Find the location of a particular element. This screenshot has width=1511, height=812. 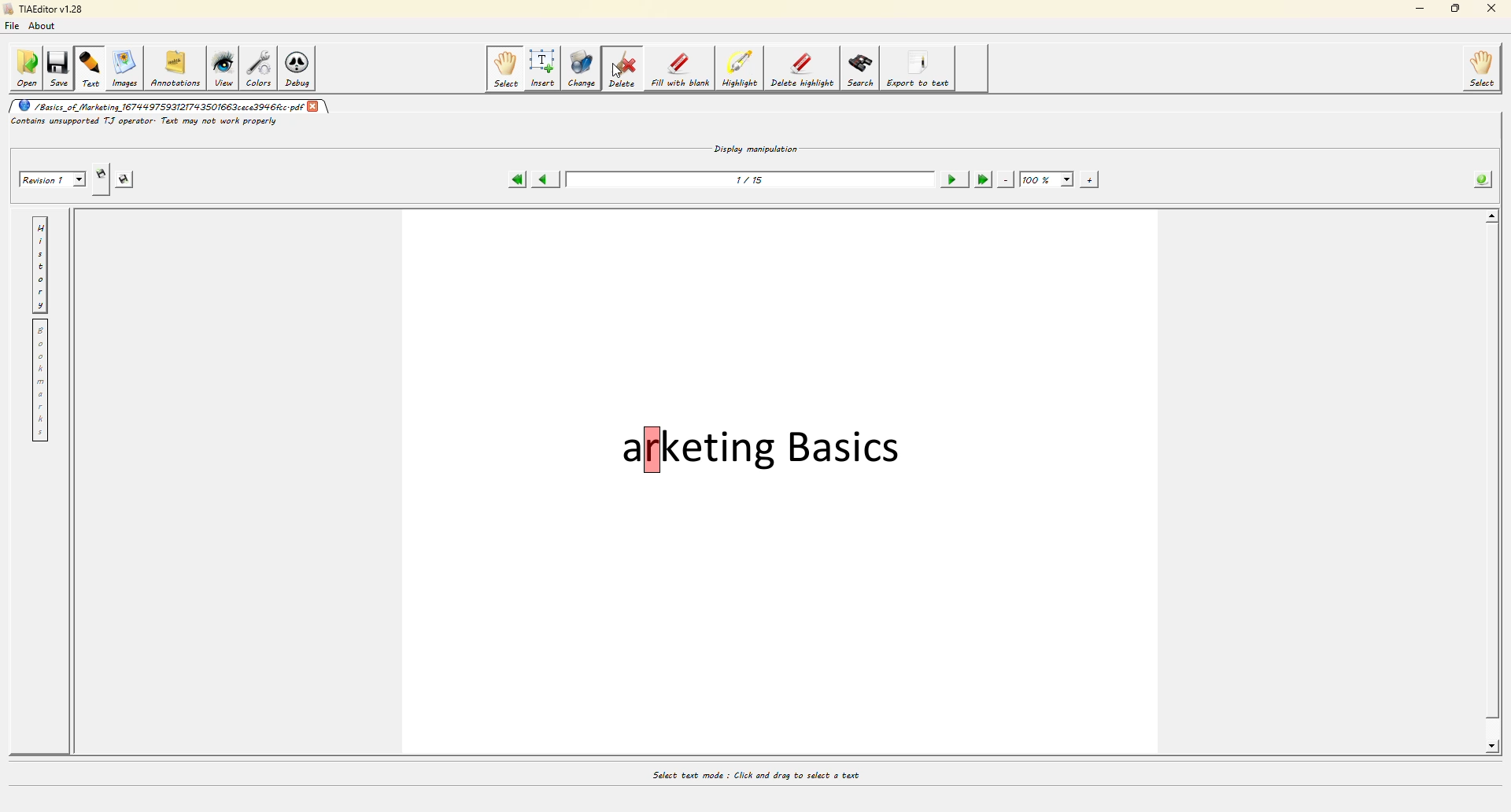

TIAEDITOR v1.28 is located at coordinates (43, 10).